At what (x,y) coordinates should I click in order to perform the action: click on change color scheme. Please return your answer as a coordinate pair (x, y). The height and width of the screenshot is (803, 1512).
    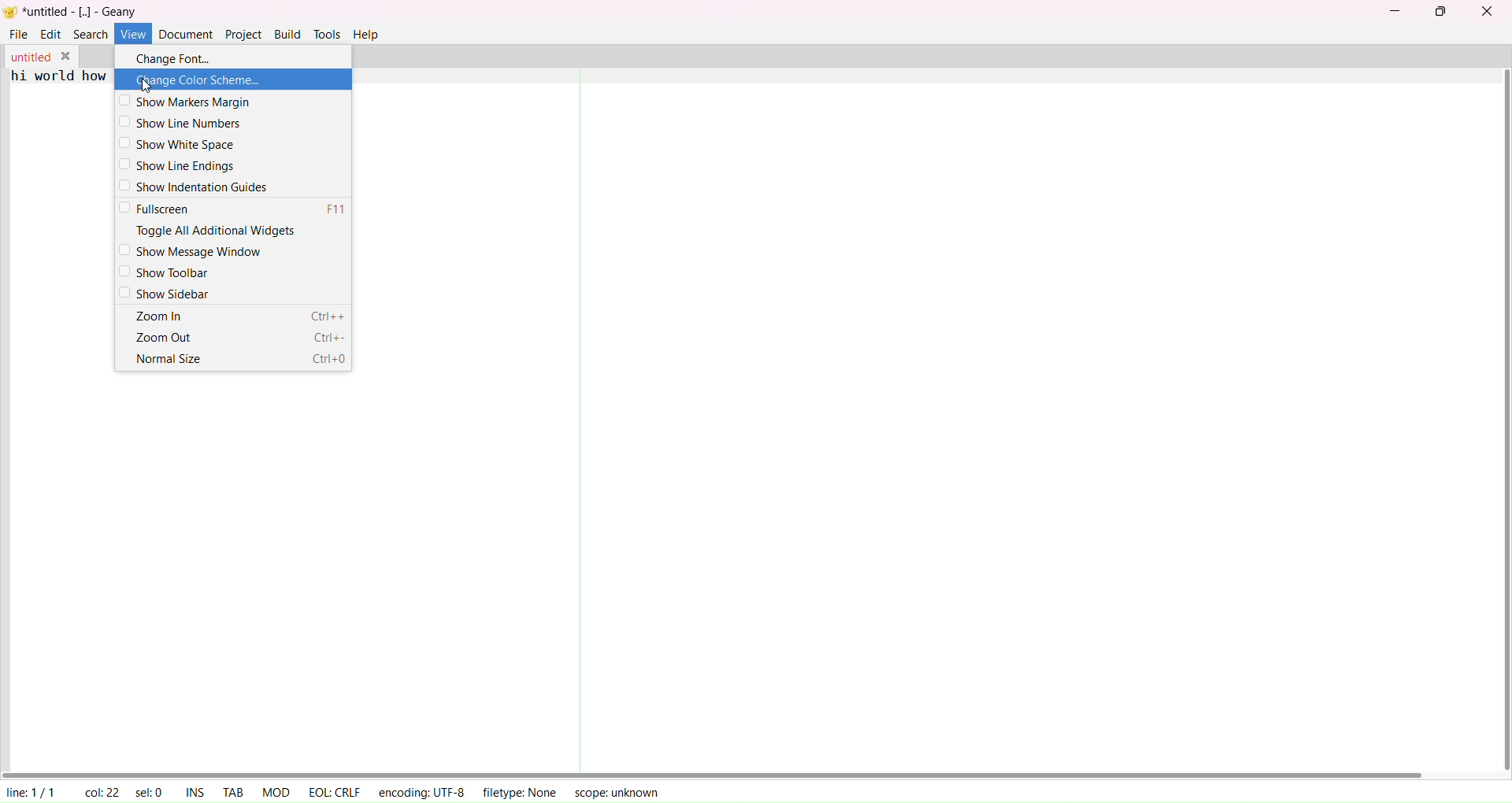
    Looking at the image, I should click on (198, 80).